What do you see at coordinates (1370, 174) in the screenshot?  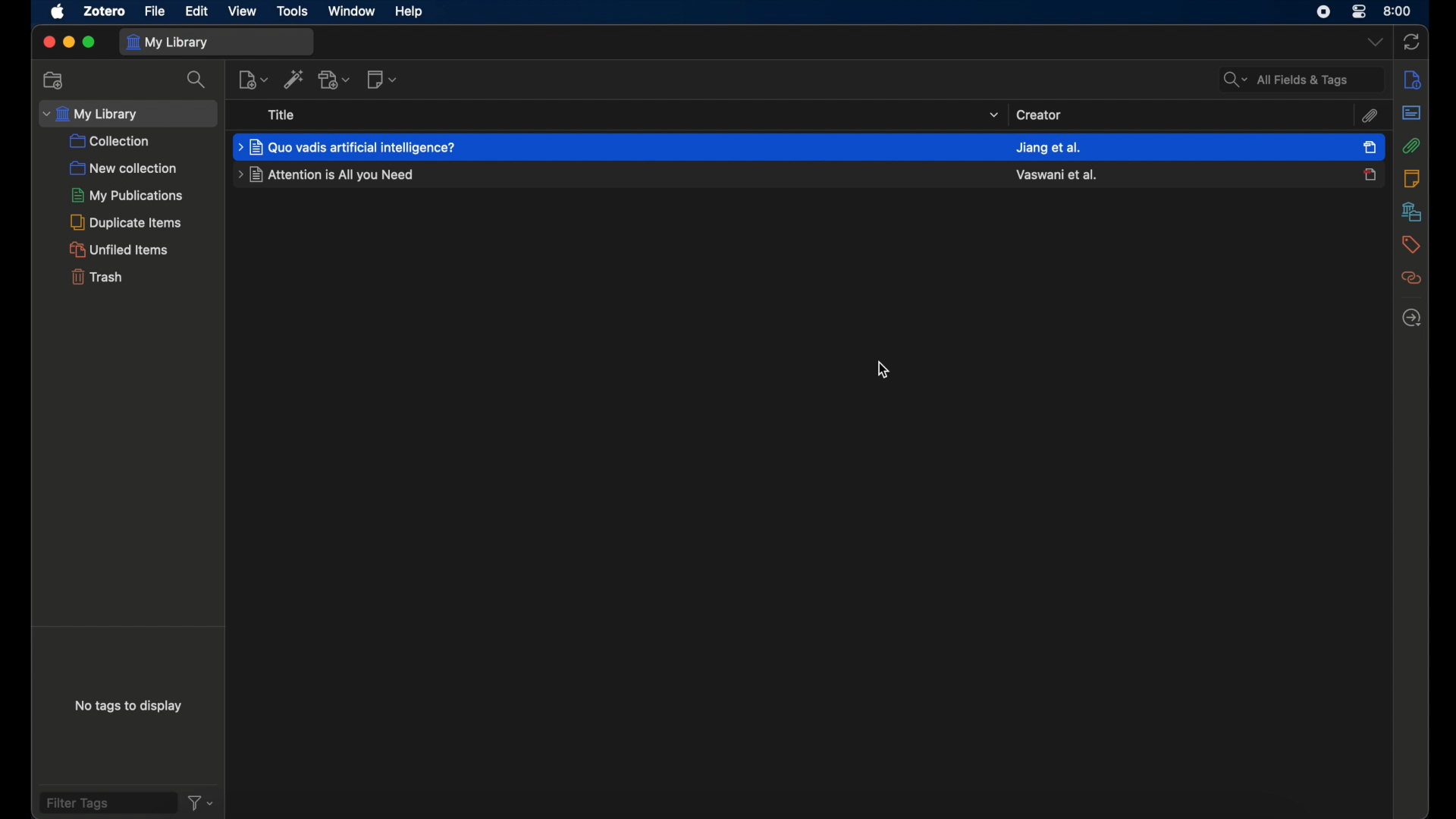 I see `item unselected` at bounding box center [1370, 174].